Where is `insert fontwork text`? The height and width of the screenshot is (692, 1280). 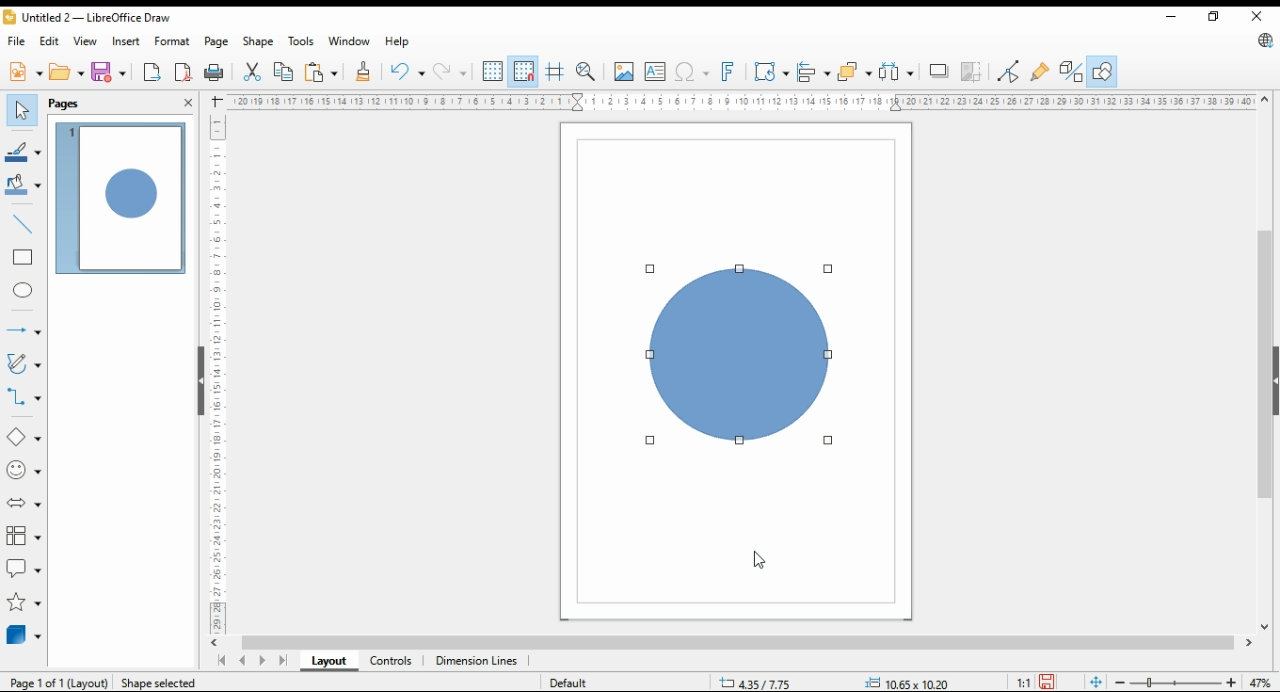
insert fontwork text is located at coordinates (731, 72).